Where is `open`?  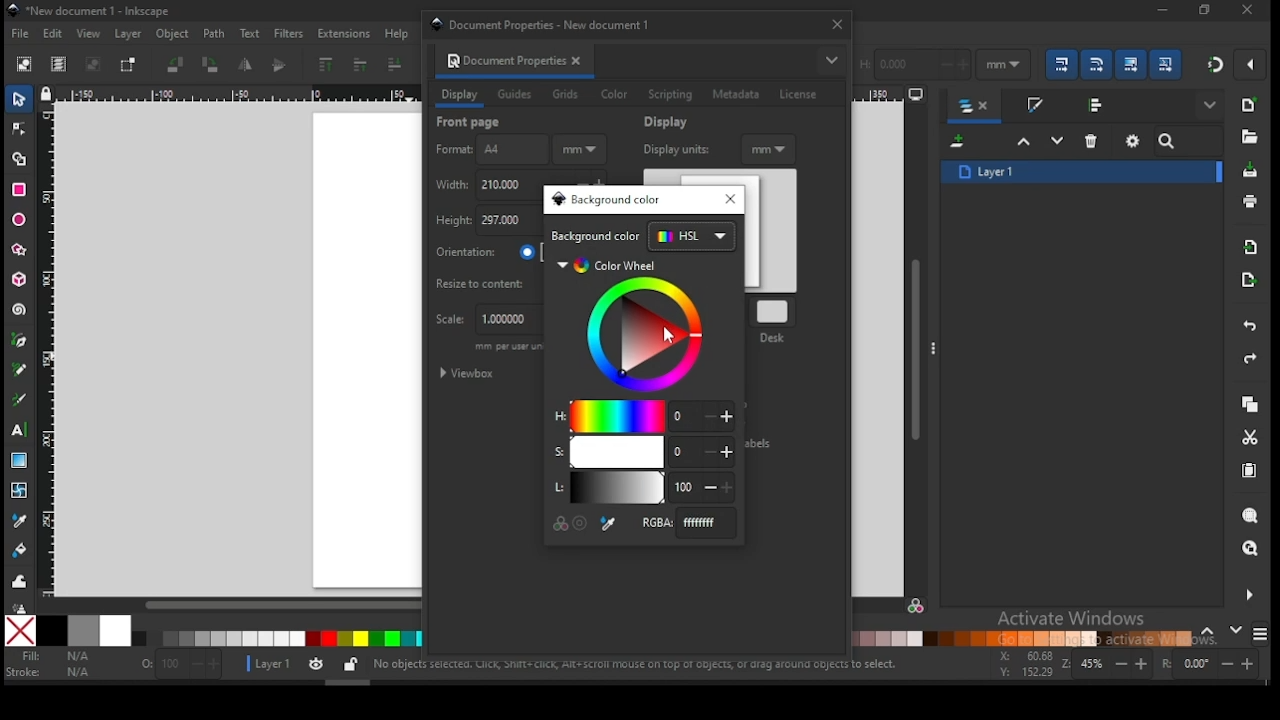
open is located at coordinates (1248, 137).